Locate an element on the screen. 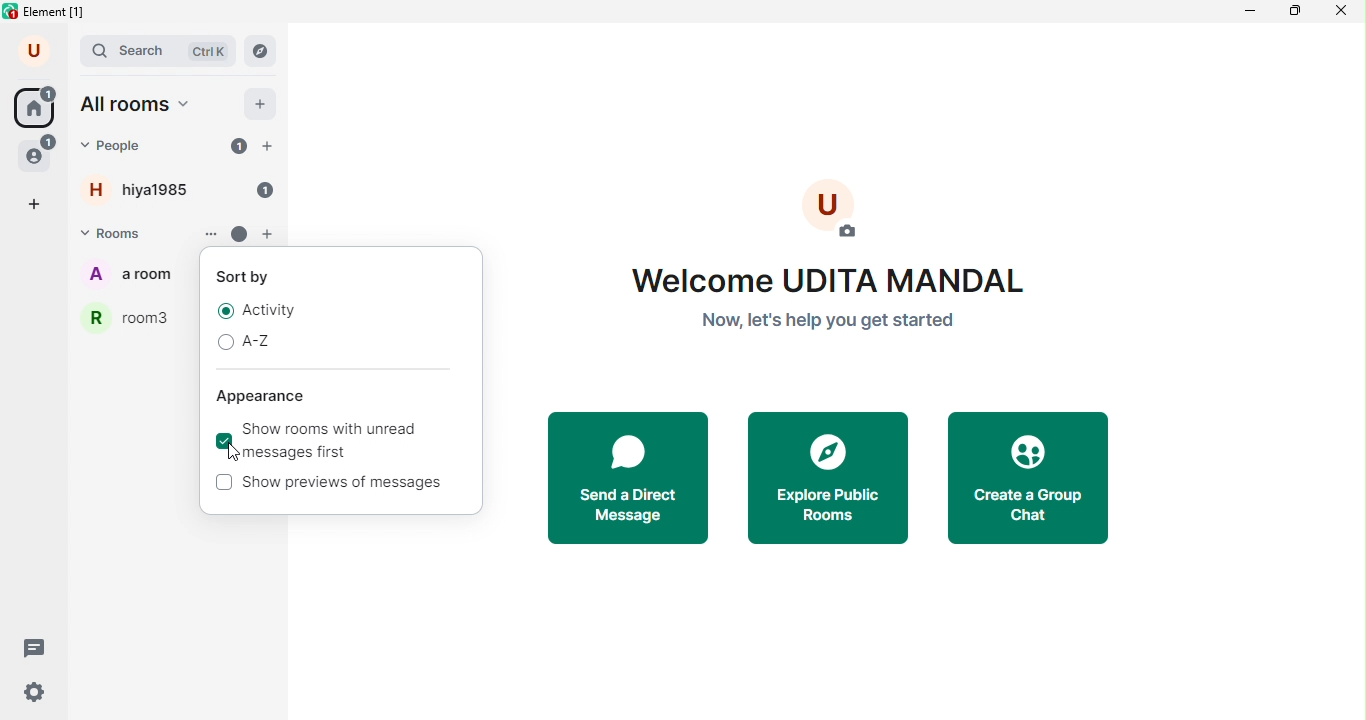  quick settings is located at coordinates (34, 692).